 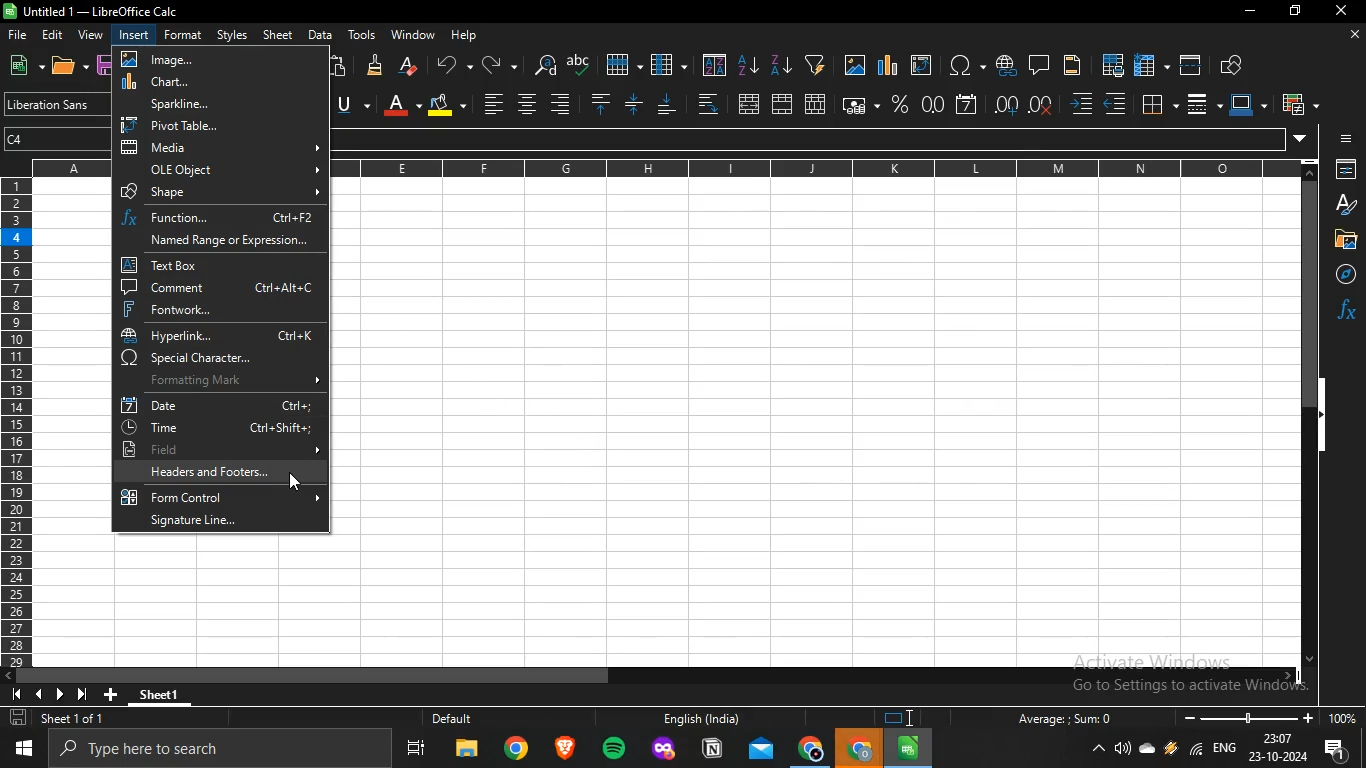 I want to click on scrollbar, so click(x=1310, y=422).